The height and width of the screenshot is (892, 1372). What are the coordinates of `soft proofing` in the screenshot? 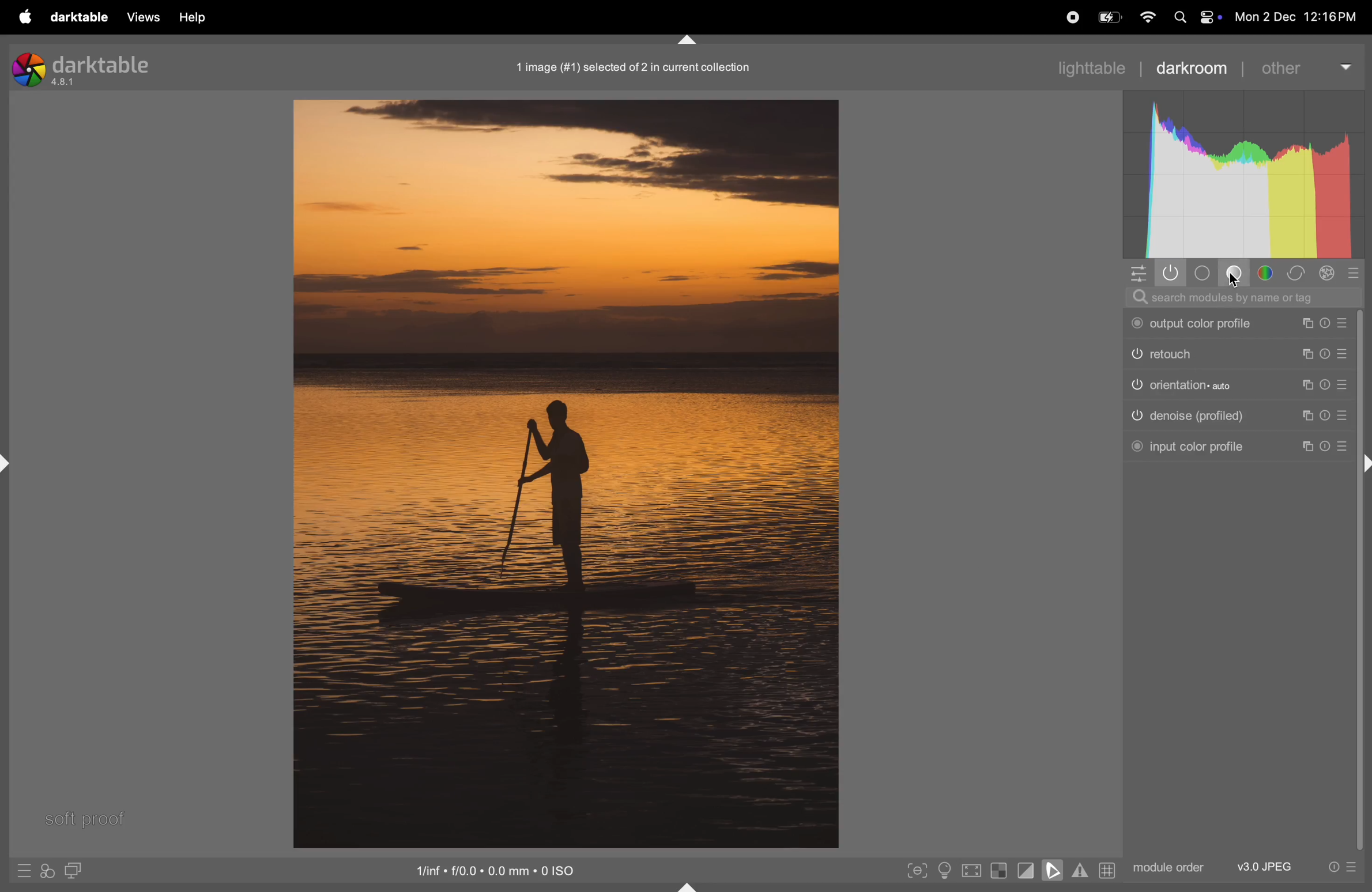 It's located at (1055, 870).